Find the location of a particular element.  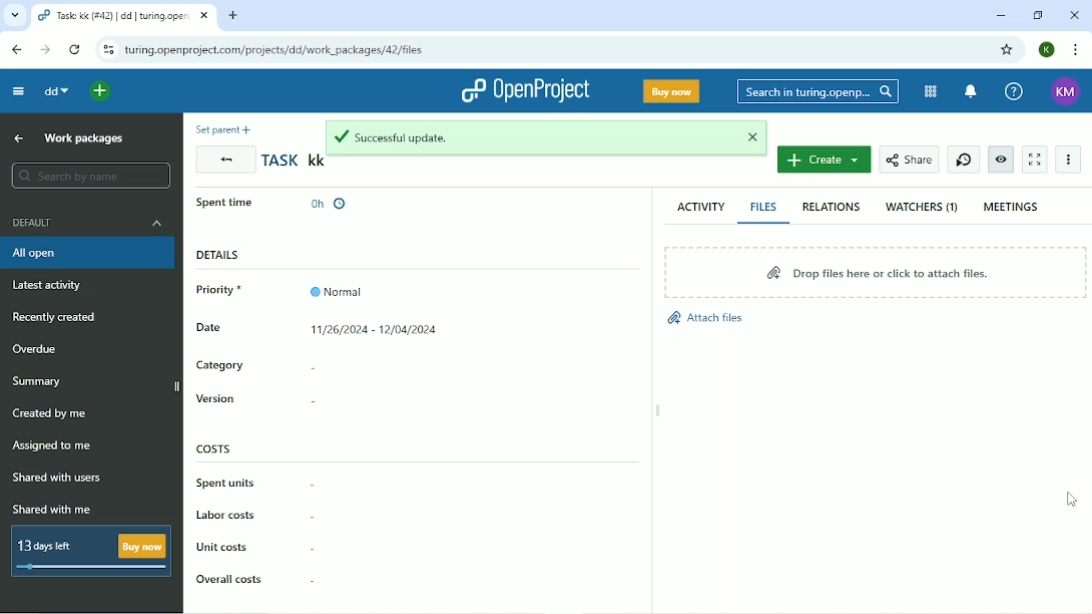

To notification center is located at coordinates (970, 93).